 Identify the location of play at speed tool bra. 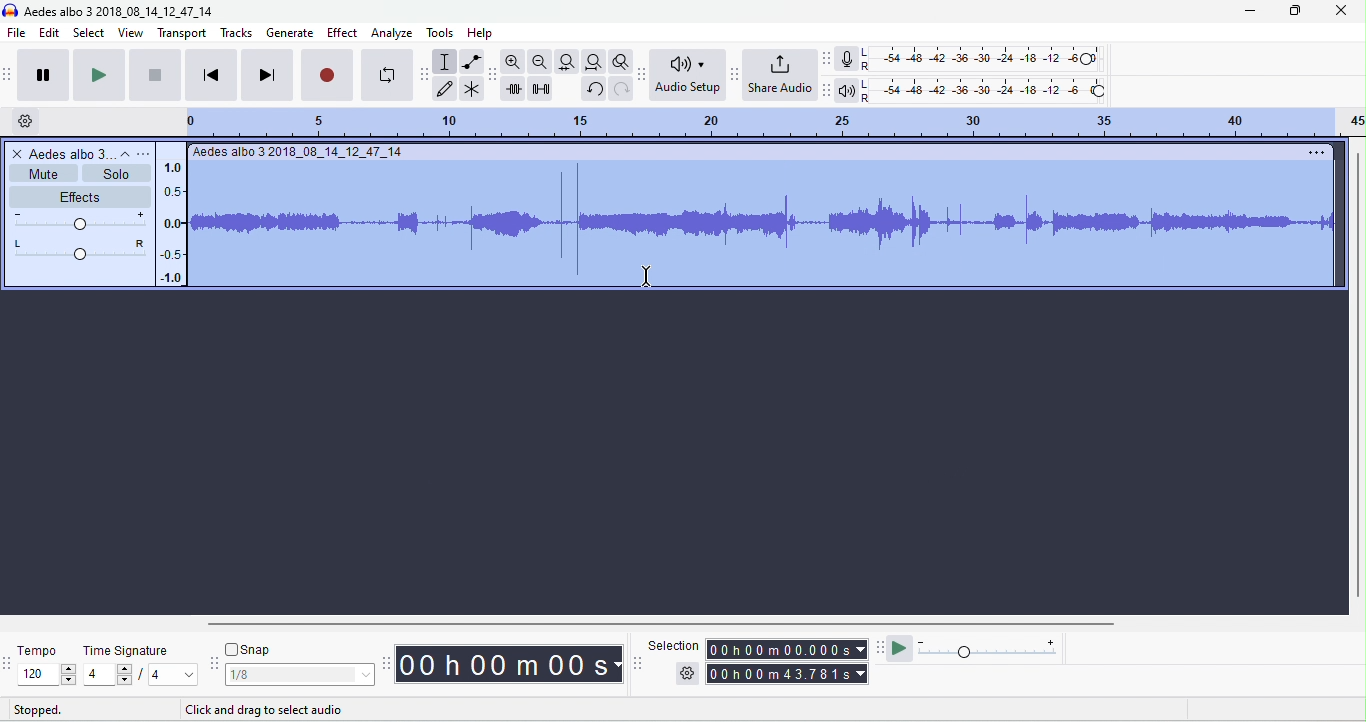
(879, 651).